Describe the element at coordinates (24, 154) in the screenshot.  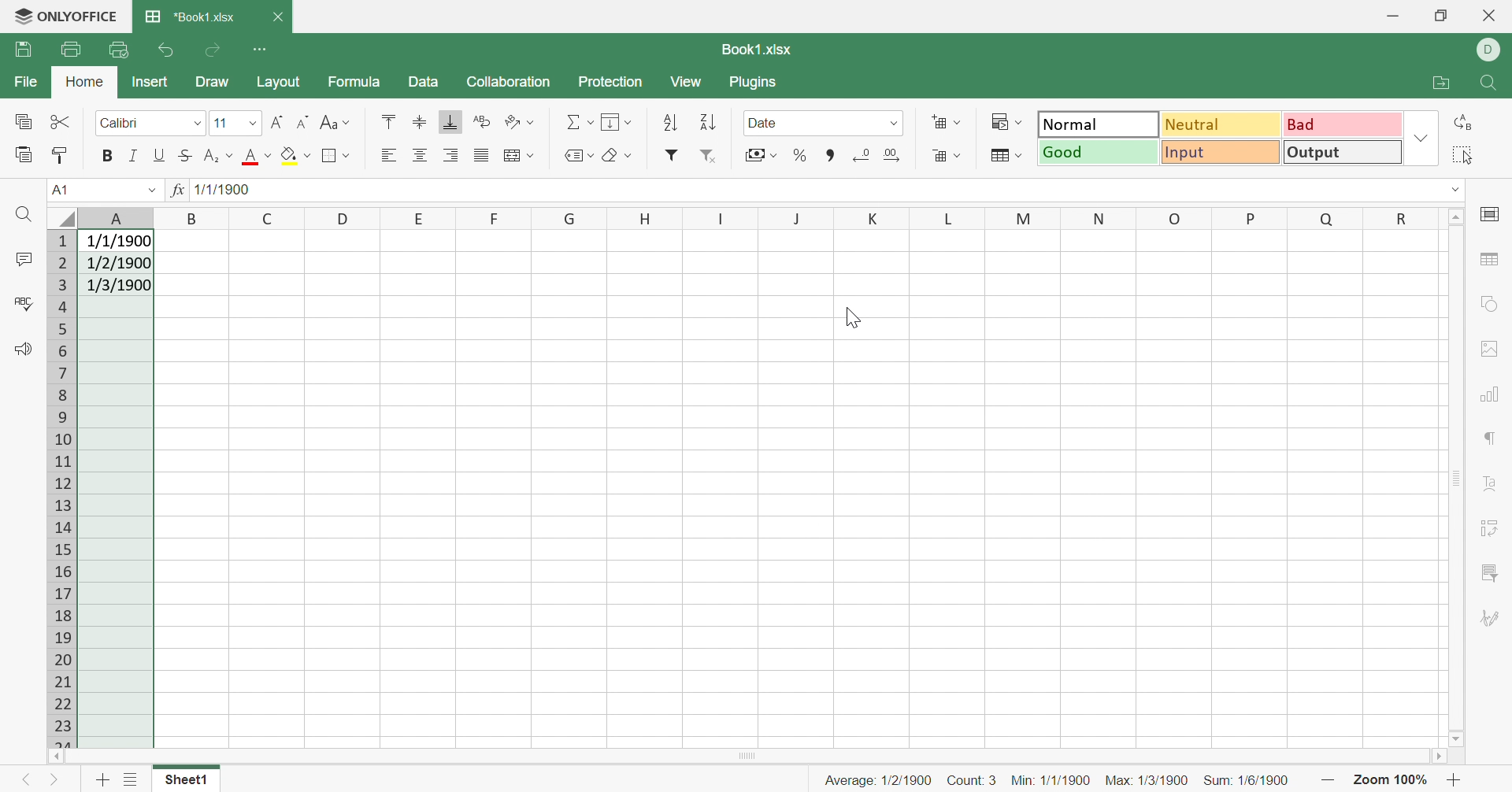
I see `Paste` at that location.